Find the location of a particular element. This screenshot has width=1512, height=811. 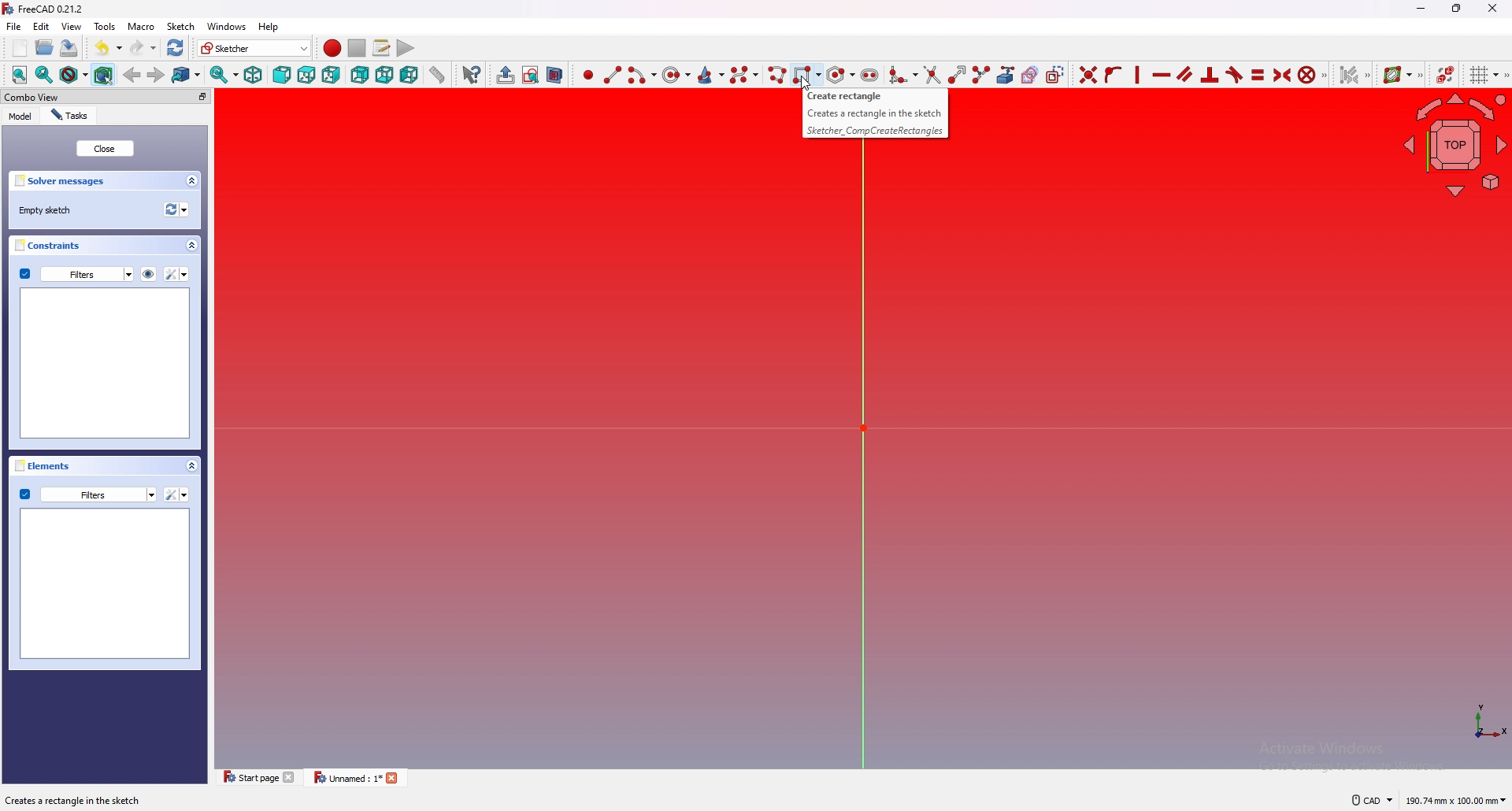

create point is located at coordinates (588, 76).